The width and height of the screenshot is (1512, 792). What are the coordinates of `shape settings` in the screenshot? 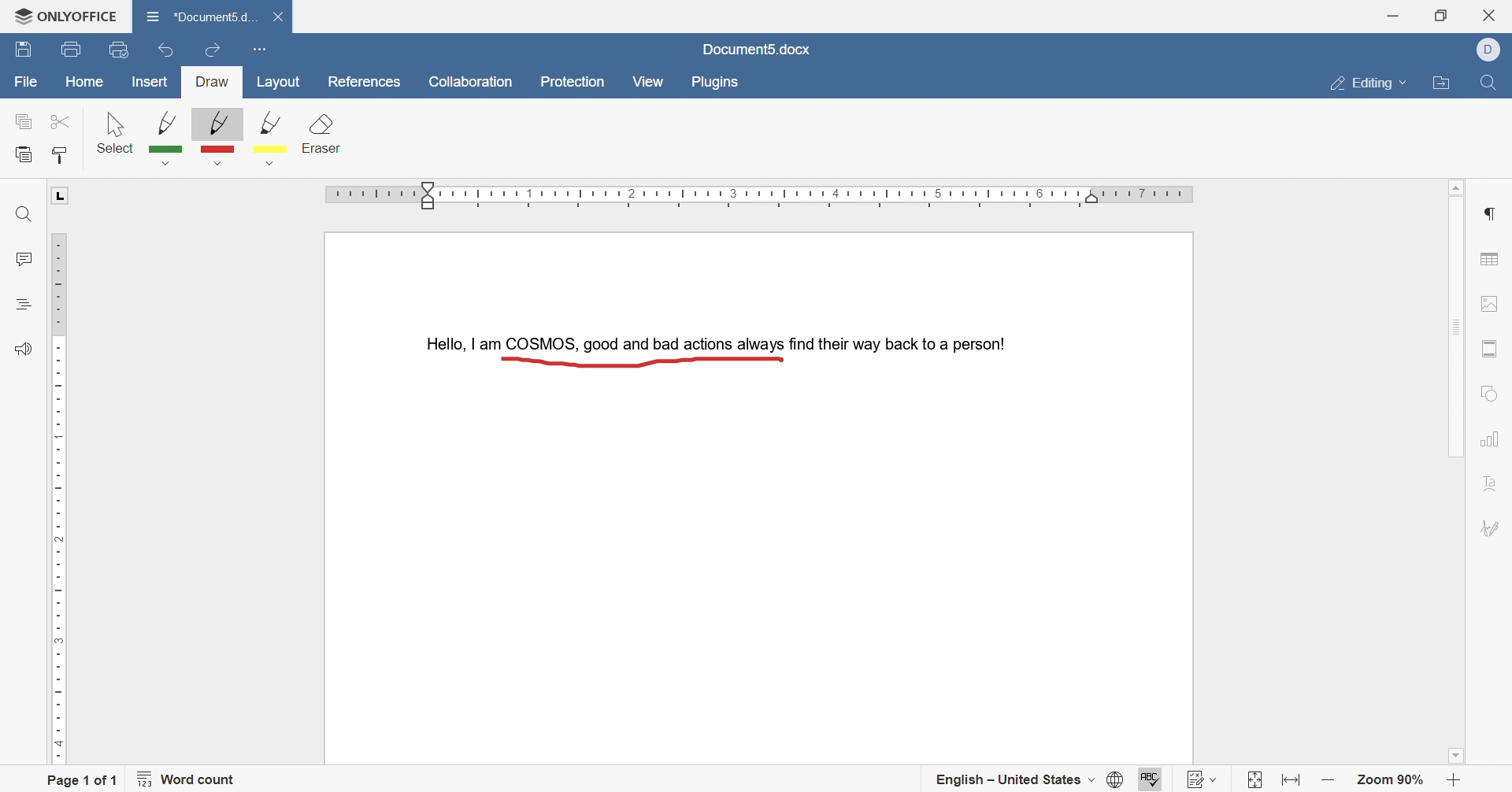 It's located at (1491, 391).